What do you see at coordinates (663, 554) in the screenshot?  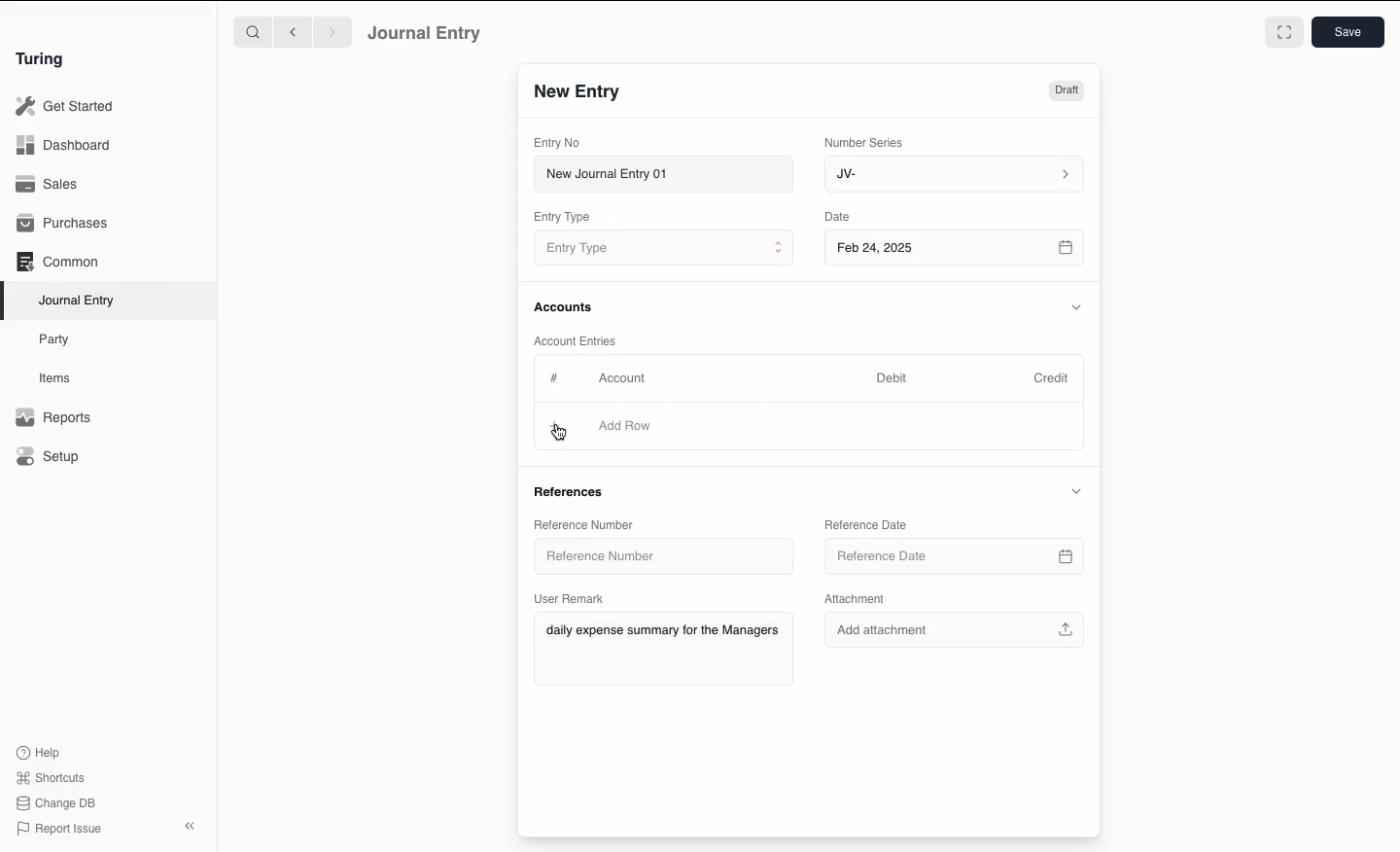 I see `Reference Number` at bounding box center [663, 554].